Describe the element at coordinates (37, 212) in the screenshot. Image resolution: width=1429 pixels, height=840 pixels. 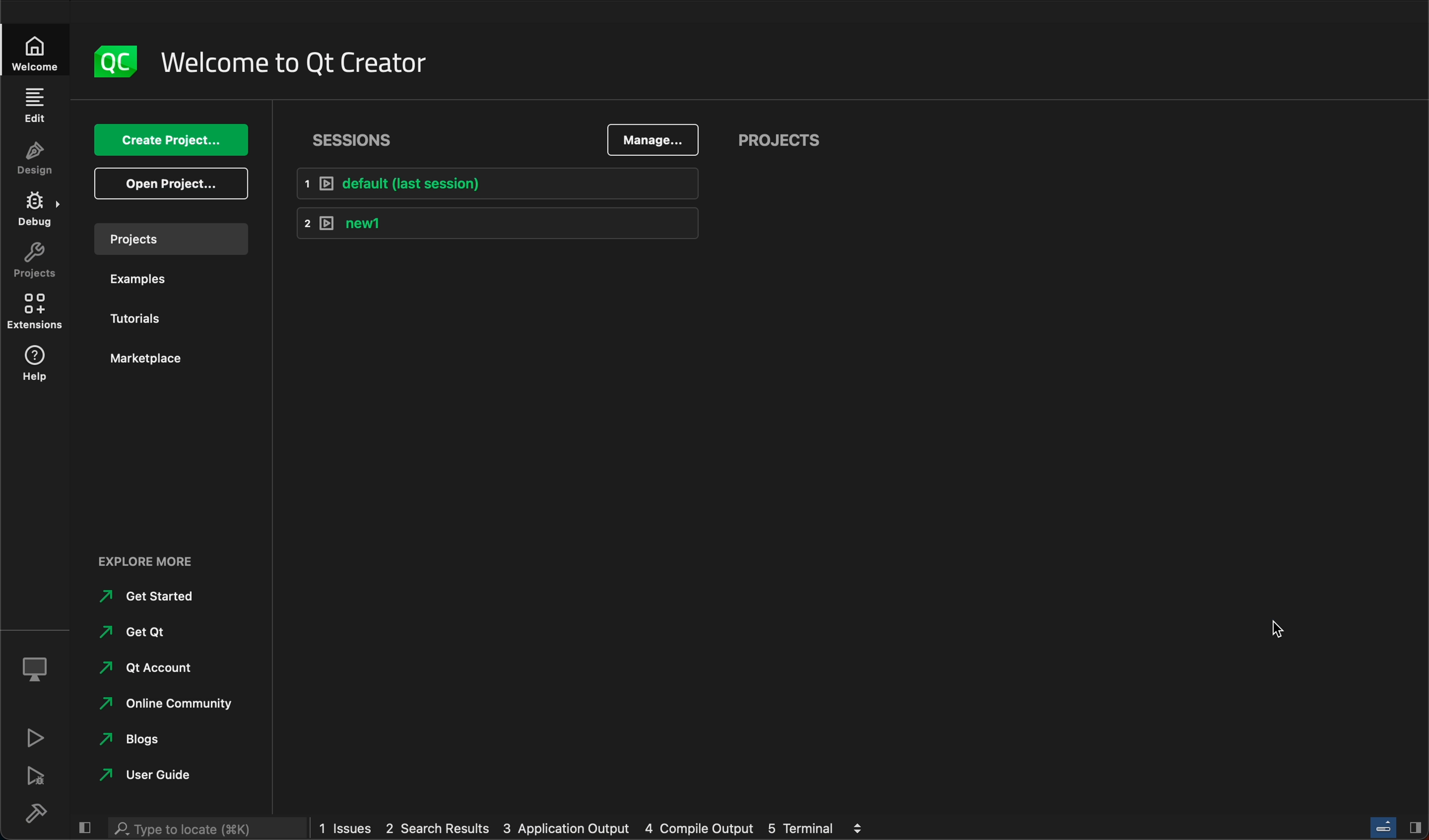
I see `debug` at that location.